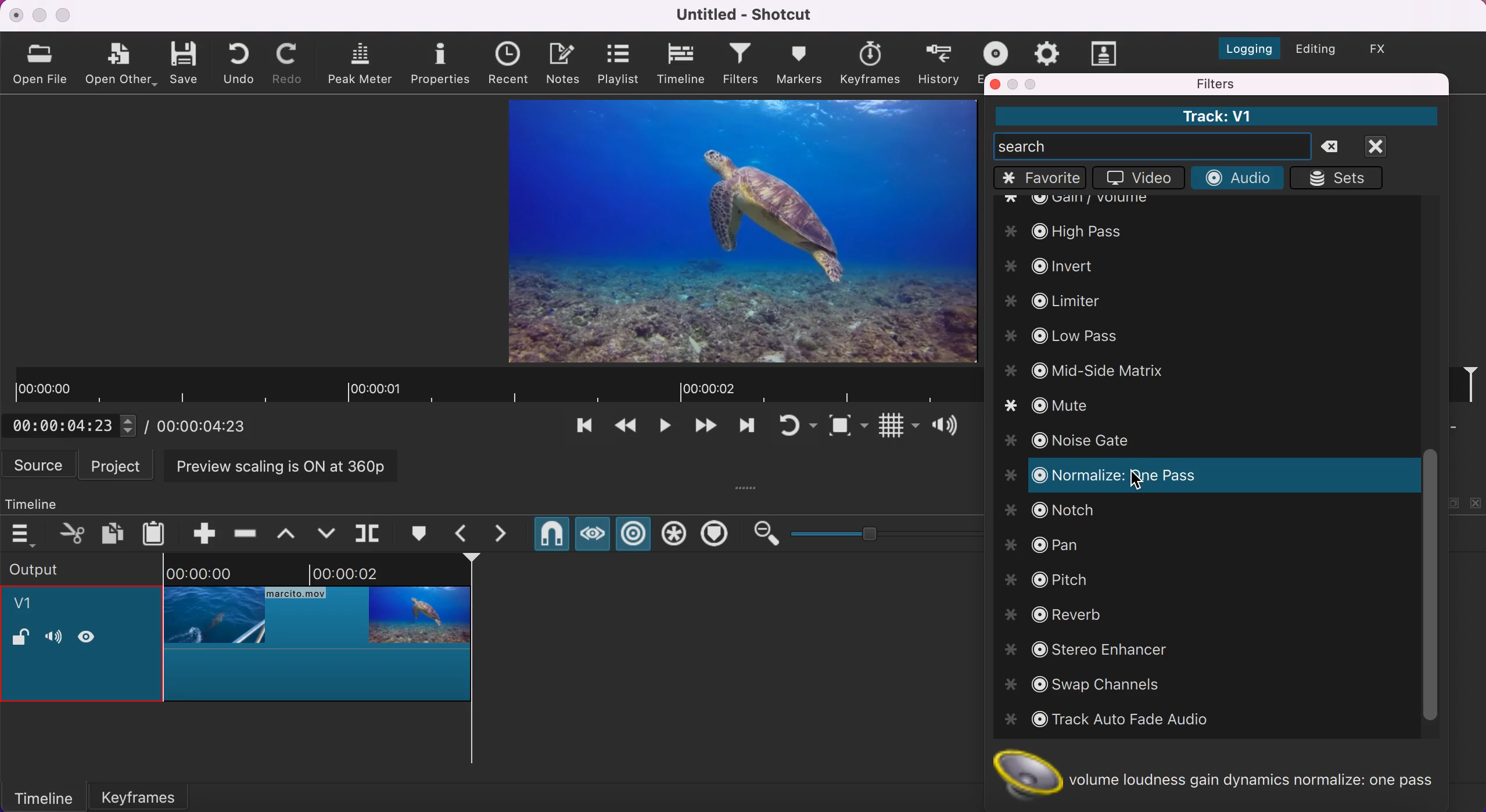 Image resolution: width=1486 pixels, height=812 pixels. I want to click on Untitled - Shotcut, so click(747, 15).